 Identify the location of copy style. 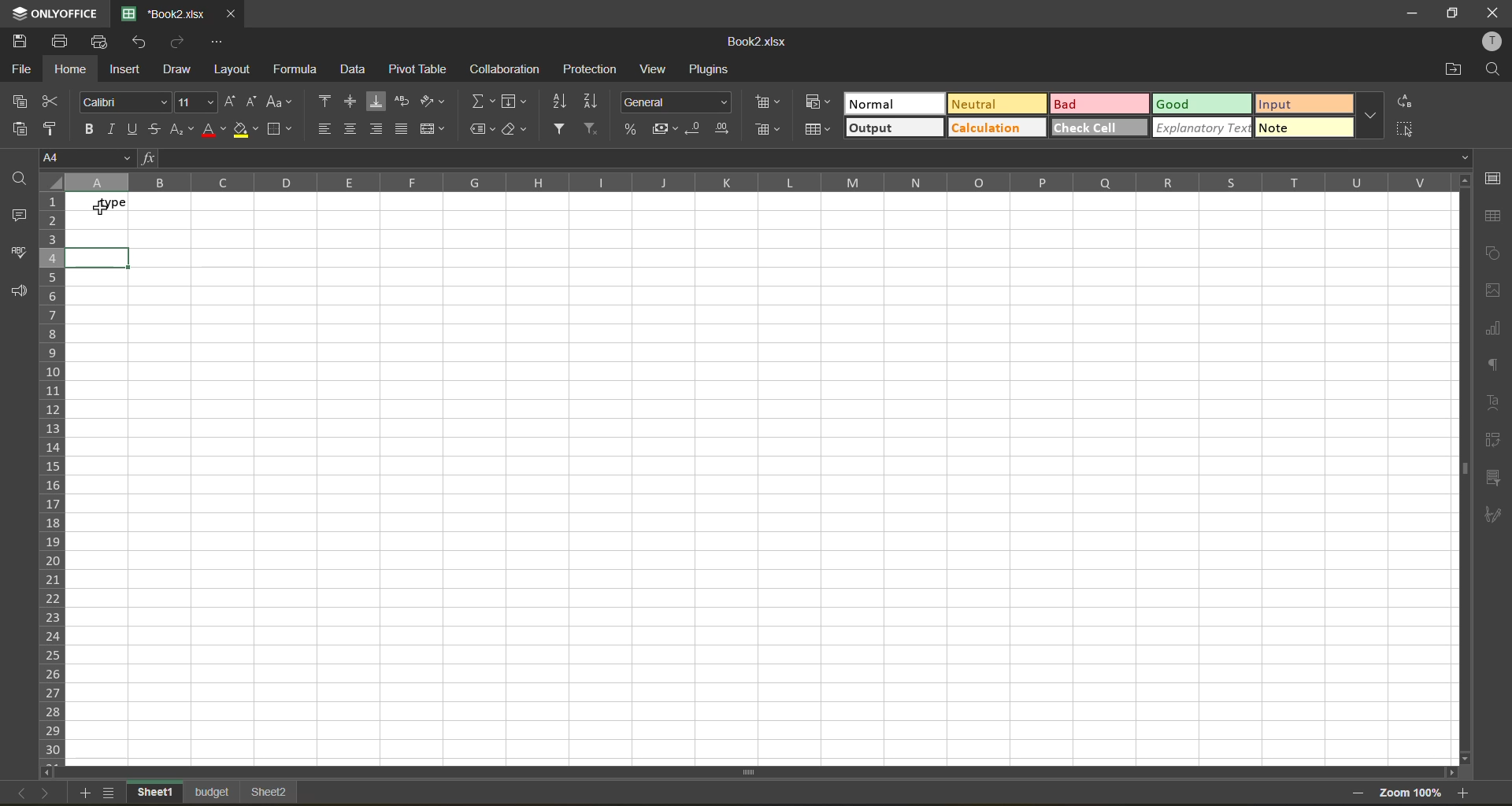
(52, 125).